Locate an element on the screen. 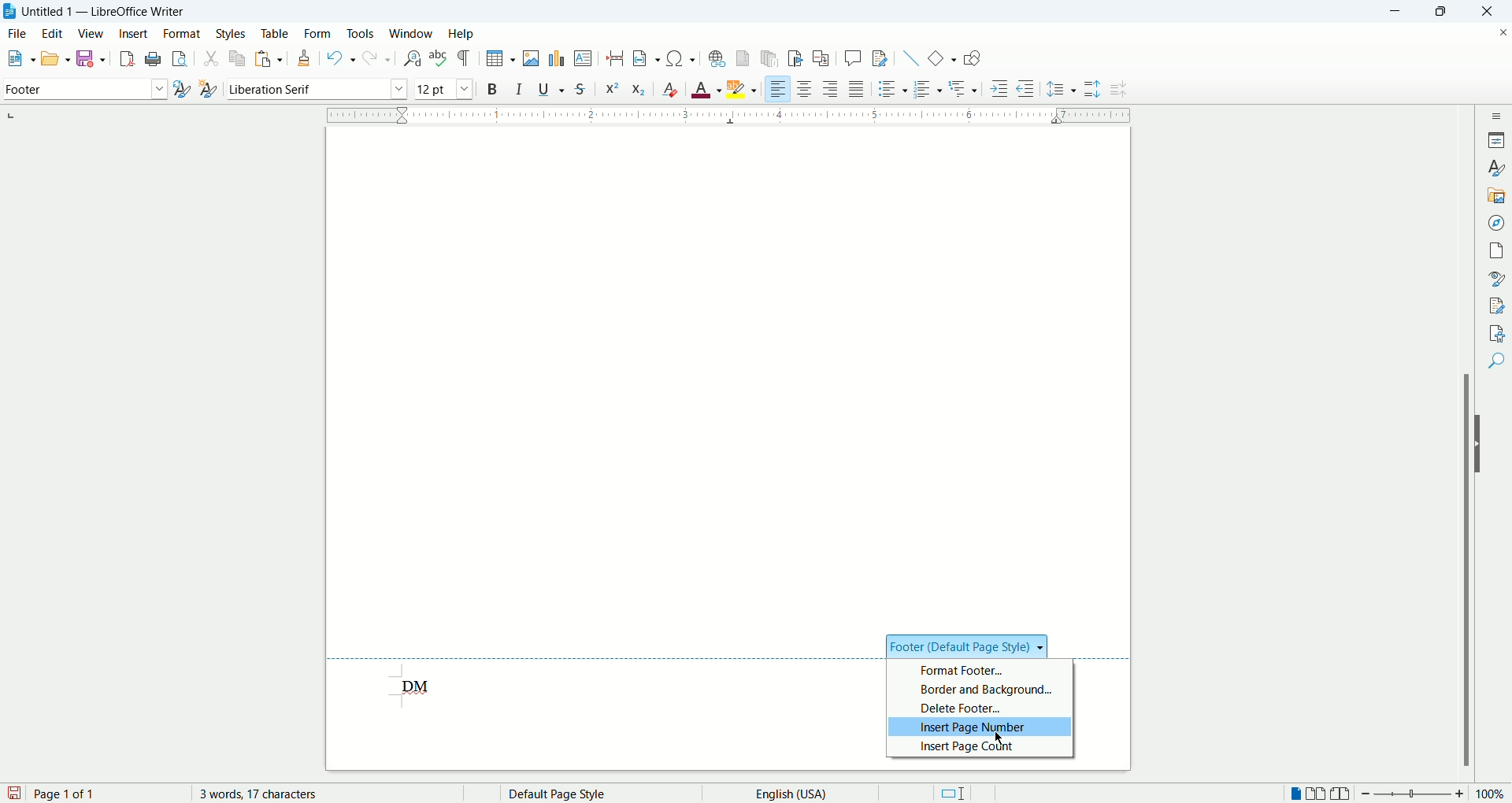 The image size is (1512, 803). copy is located at coordinates (239, 57).